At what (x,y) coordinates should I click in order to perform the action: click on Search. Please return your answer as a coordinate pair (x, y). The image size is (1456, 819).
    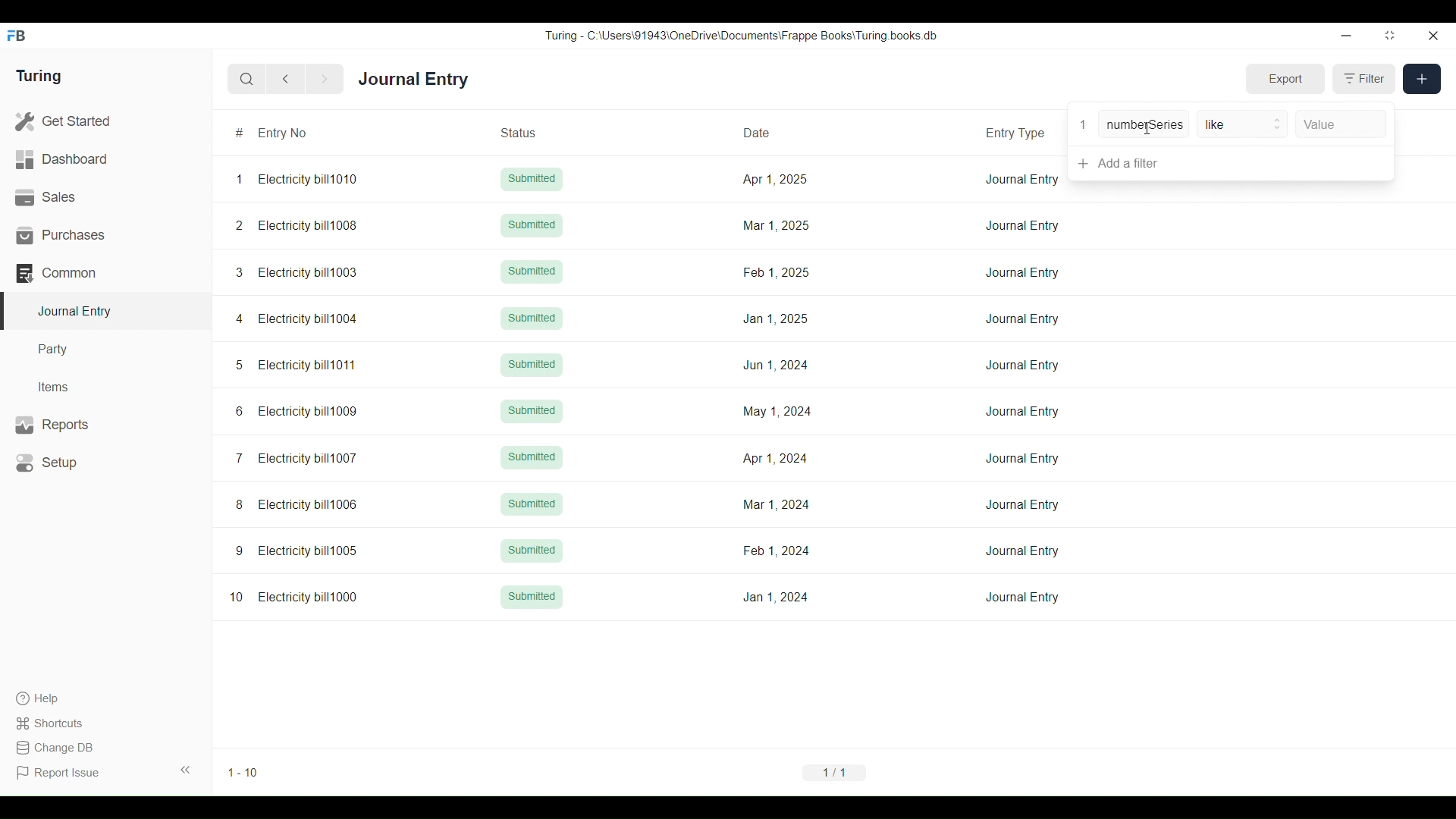
    Looking at the image, I should click on (246, 80).